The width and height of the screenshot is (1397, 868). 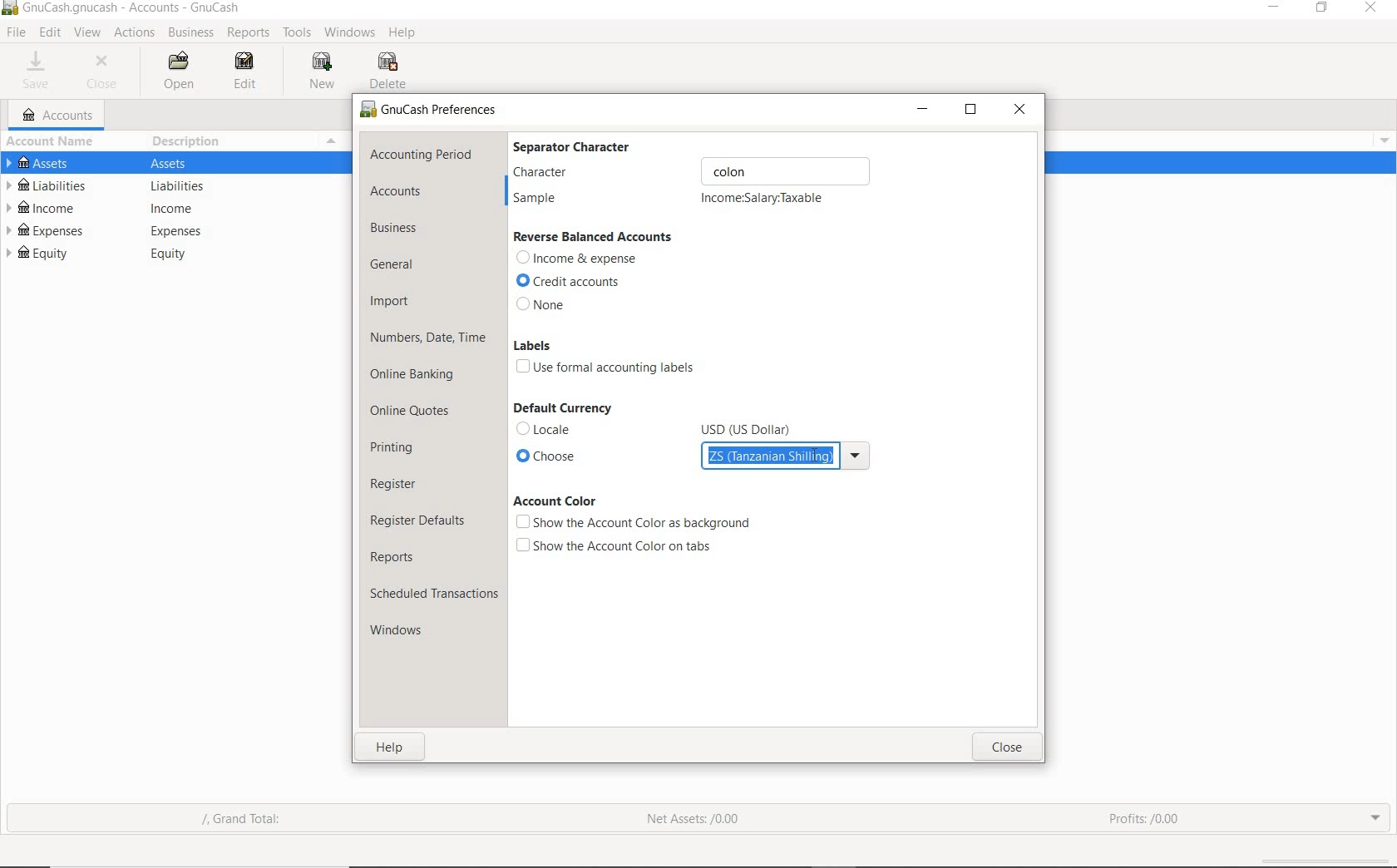 I want to click on EDIT, so click(x=49, y=32).